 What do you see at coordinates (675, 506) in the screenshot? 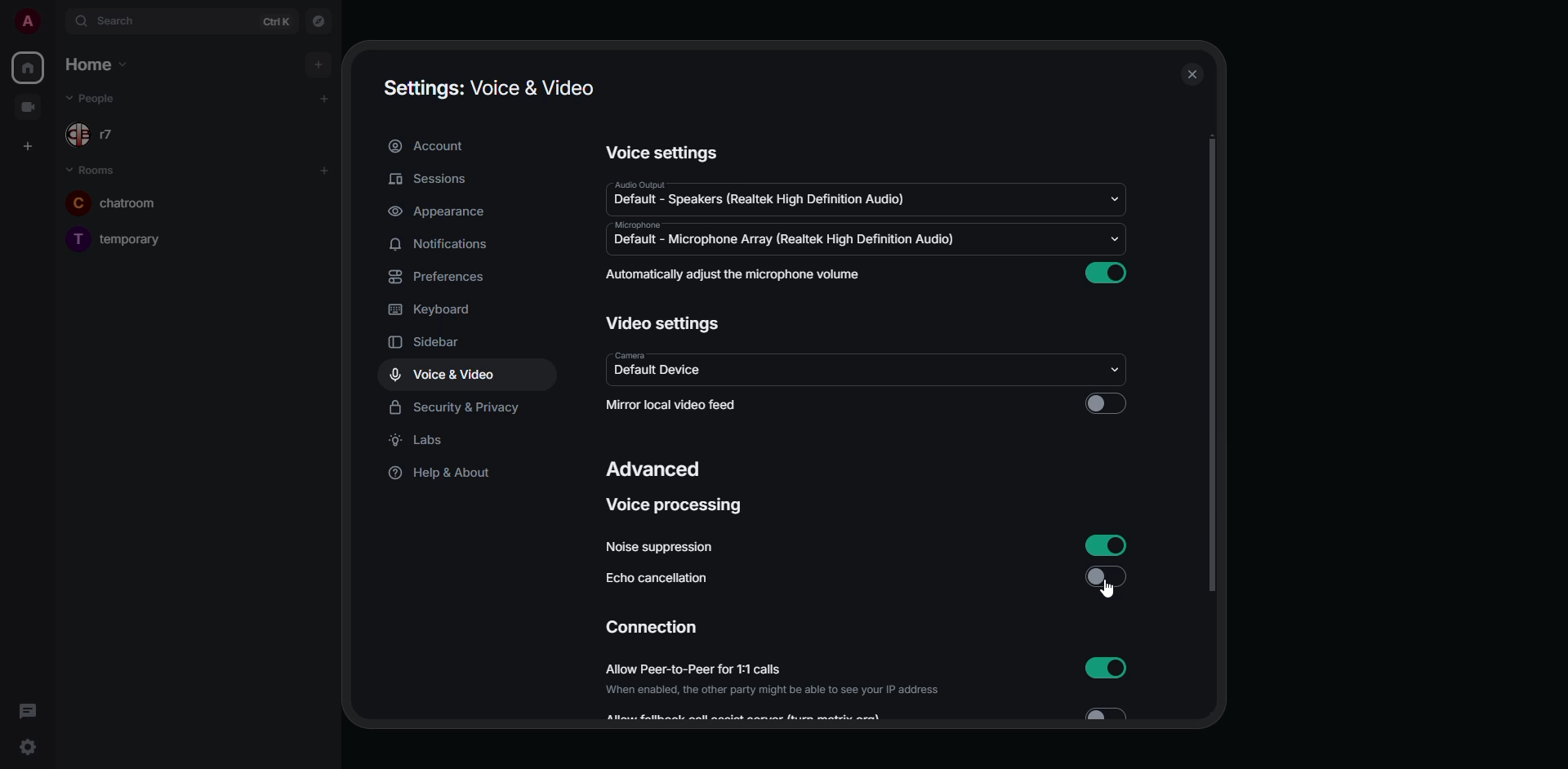
I see `voice processing` at bounding box center [675, 506].